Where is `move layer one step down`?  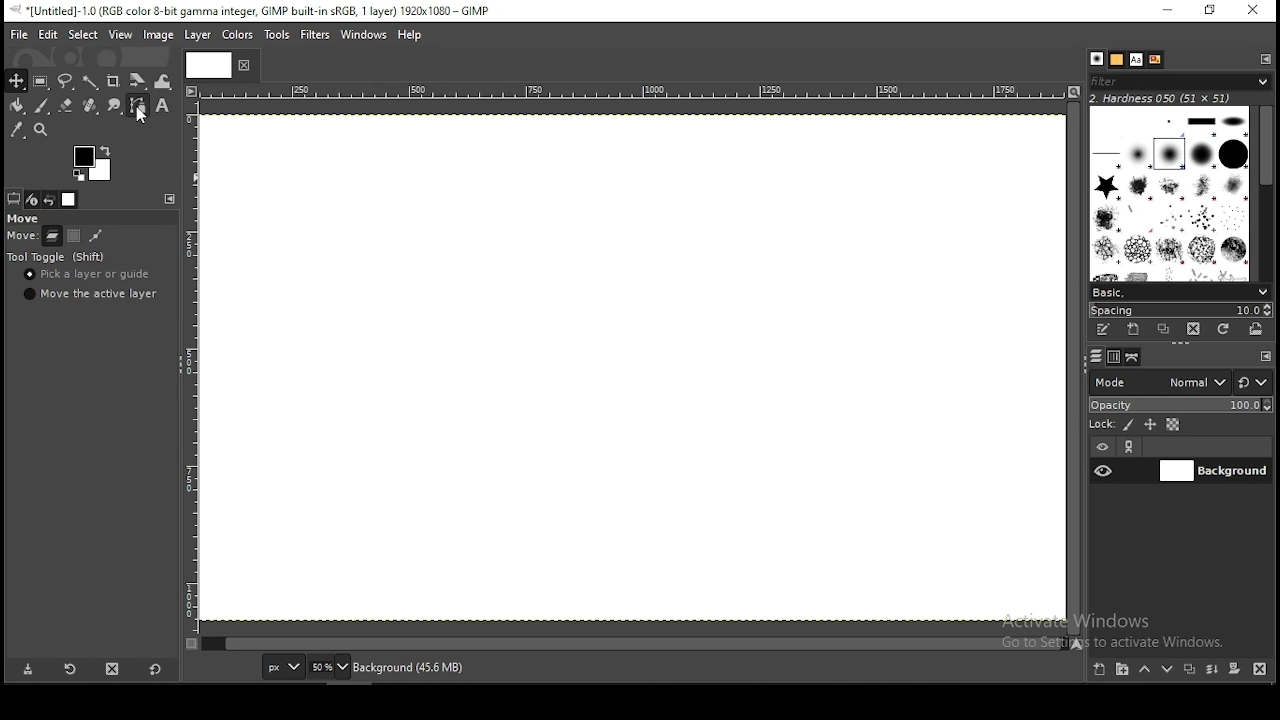
move layer one step down is located at coordinates (1168, 670).